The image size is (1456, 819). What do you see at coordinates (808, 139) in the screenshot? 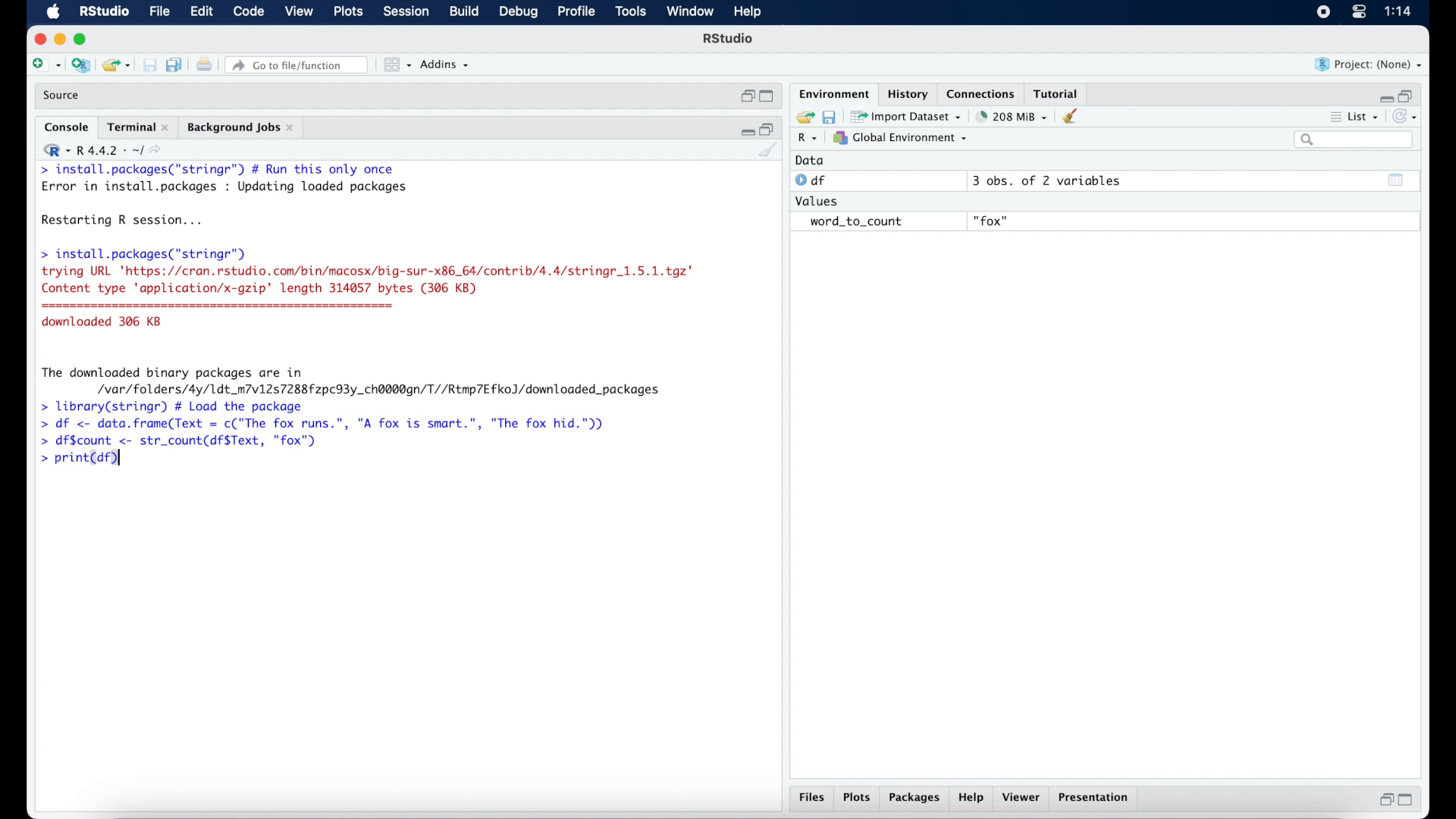
I see `R` at bounding box center [808, 139].